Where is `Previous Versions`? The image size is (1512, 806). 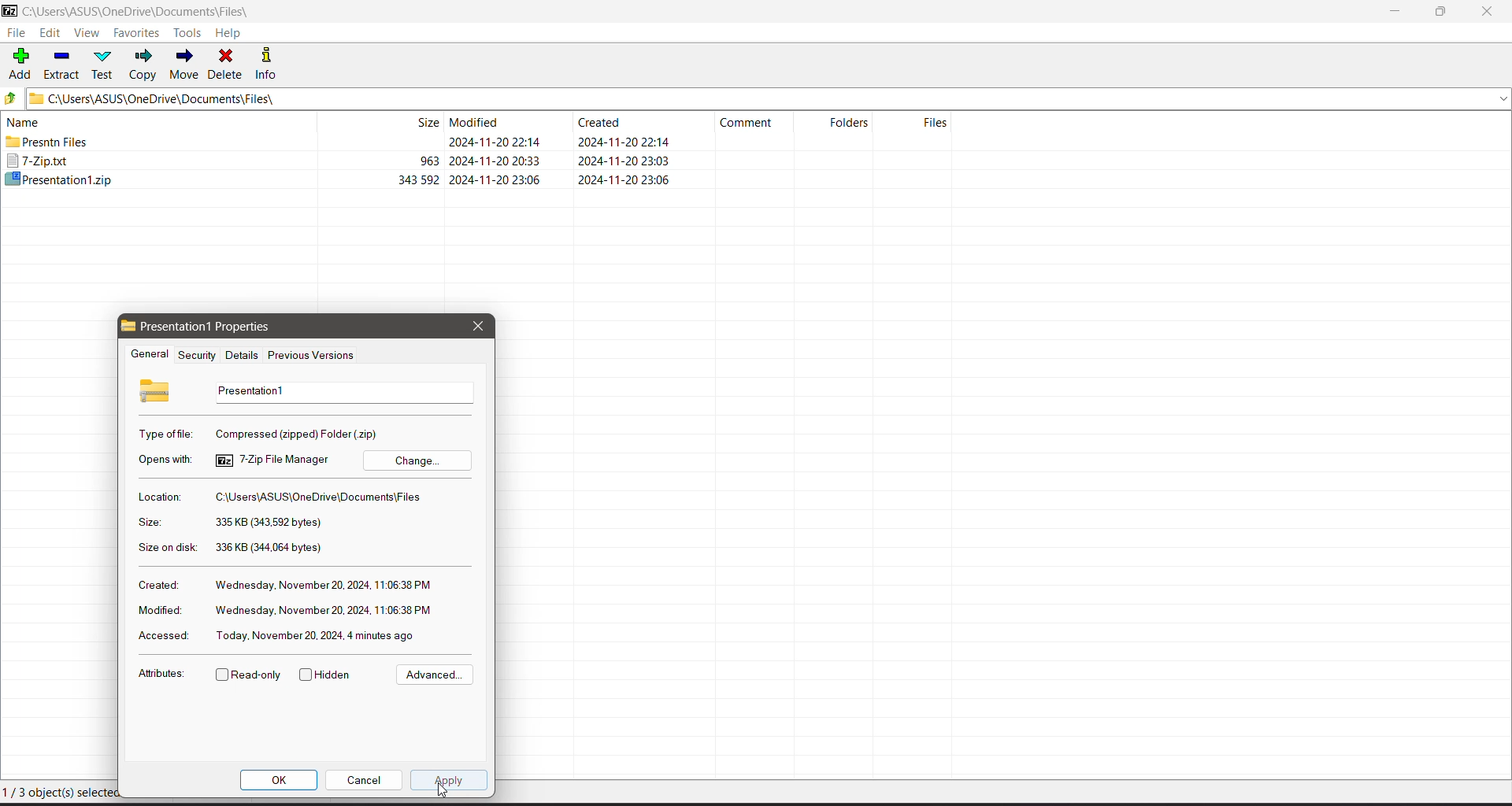
Previous Versions is located at coordinates (312, 357).